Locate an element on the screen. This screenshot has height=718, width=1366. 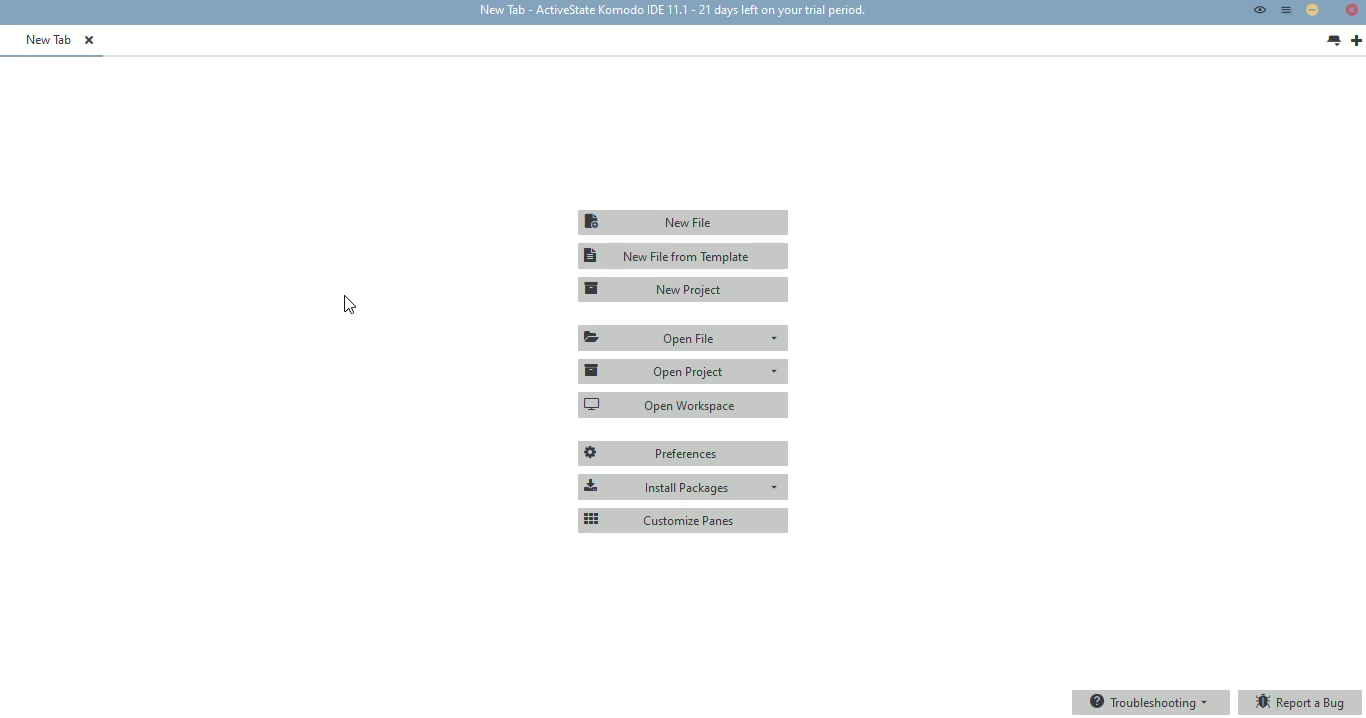
open file is located at coordinates (683, 336).